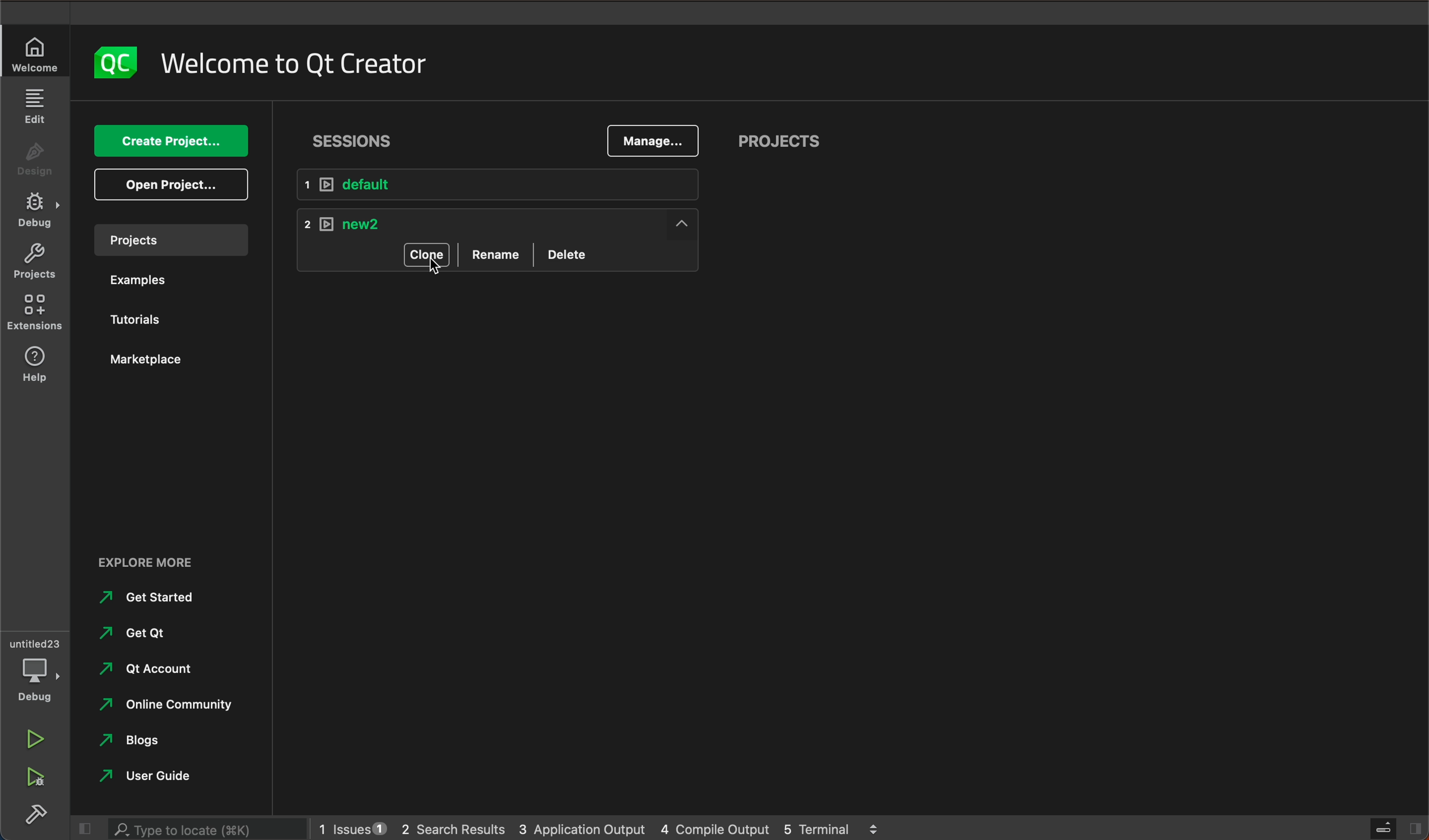 Image resolution: width=1429 pixels, height=840 pixels. Describe the element at coordinates (1388, 828) in the screenshot. I see `close slide bar` at that location.